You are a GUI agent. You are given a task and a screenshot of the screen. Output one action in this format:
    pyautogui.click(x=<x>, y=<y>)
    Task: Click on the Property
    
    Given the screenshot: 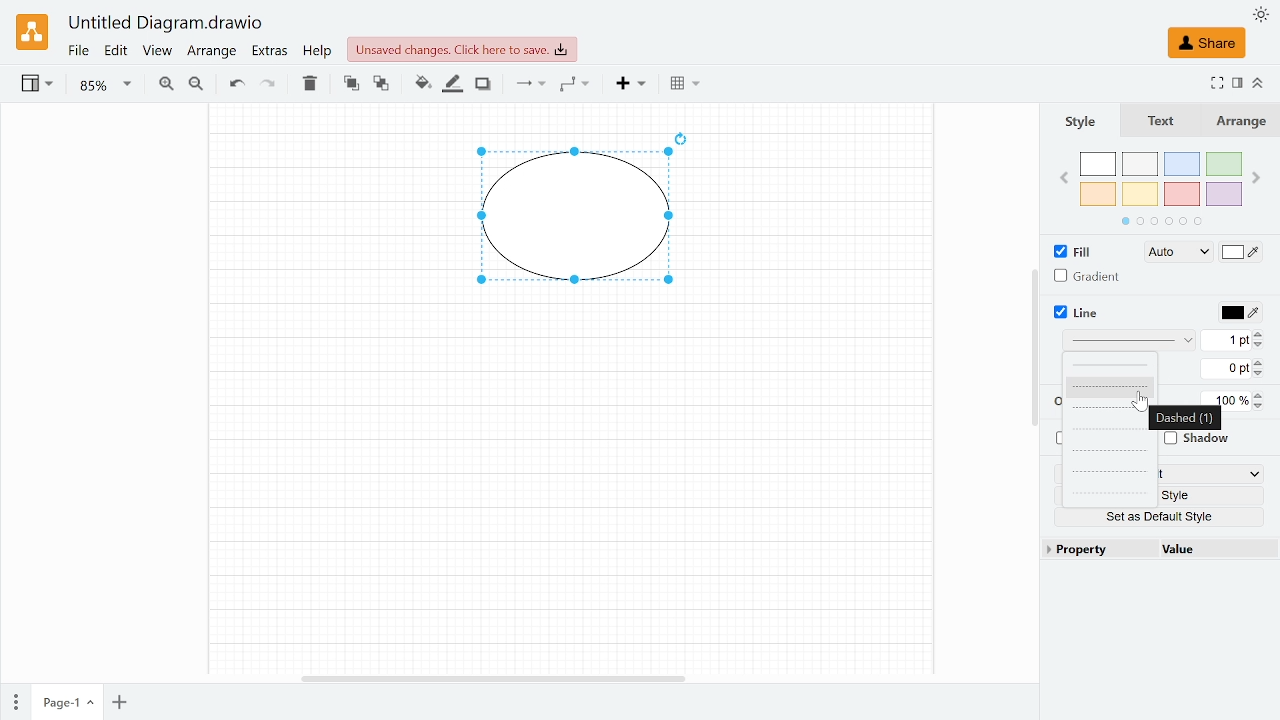 What is the action you would take?
    pyautogui.click(x=1095, y=550)
    